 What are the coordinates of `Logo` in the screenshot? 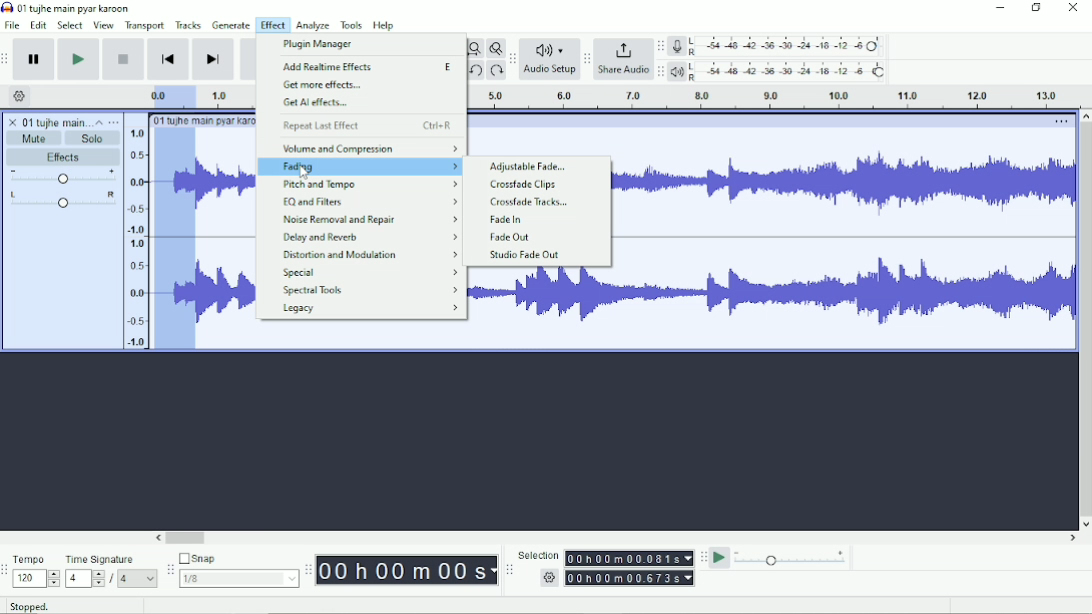 It's located at (7, 7).